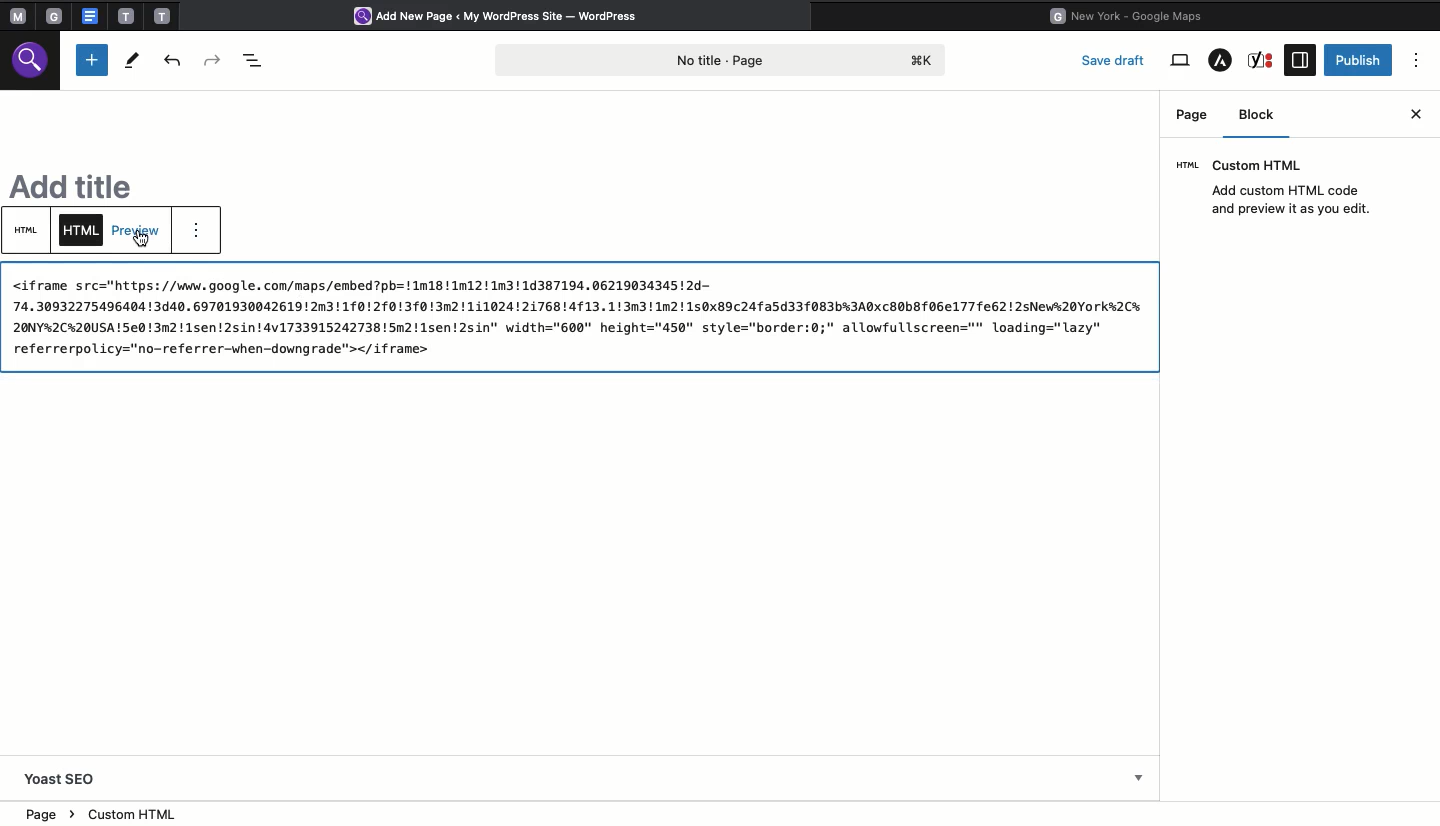 The image size is (1440, 826). What do you see at coordinates (725, 58) in the screenshot?
I see `Page` at bounding box center [725, 58].